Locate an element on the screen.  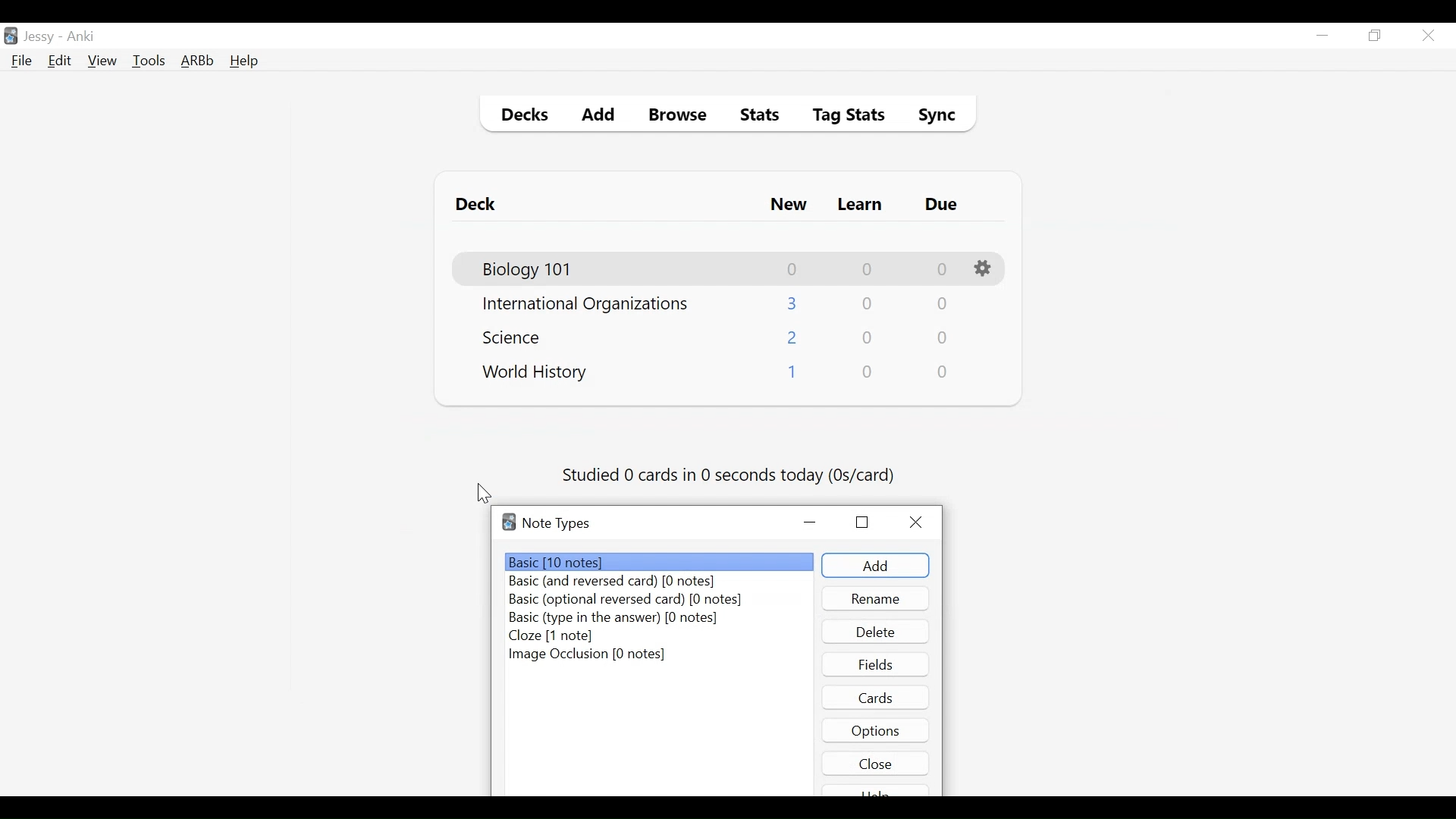
Sybc is located at coordinates (931, 117).